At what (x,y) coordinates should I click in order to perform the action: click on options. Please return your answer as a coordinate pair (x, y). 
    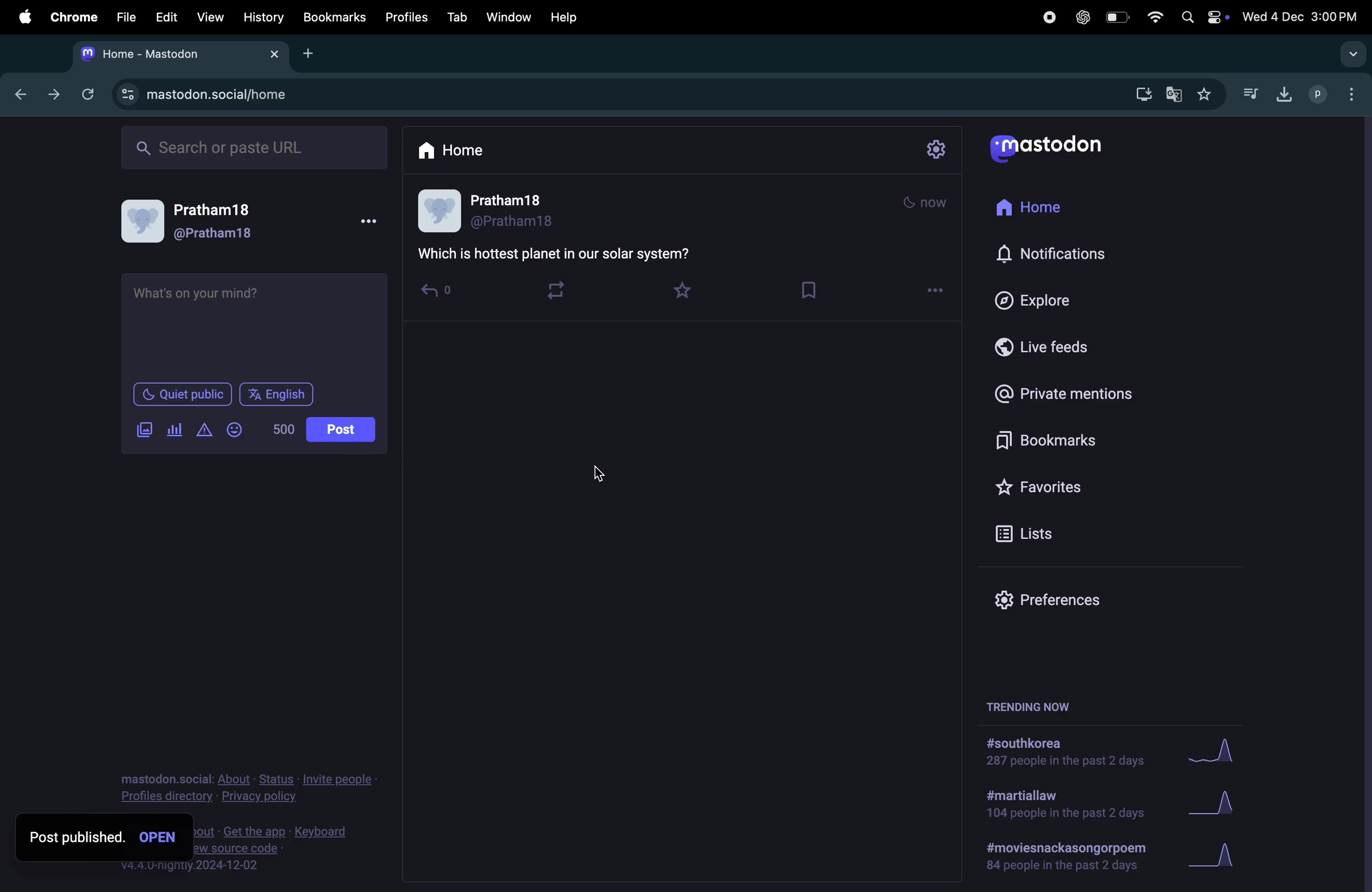
    Looking at the image, I should click on (939, 290).